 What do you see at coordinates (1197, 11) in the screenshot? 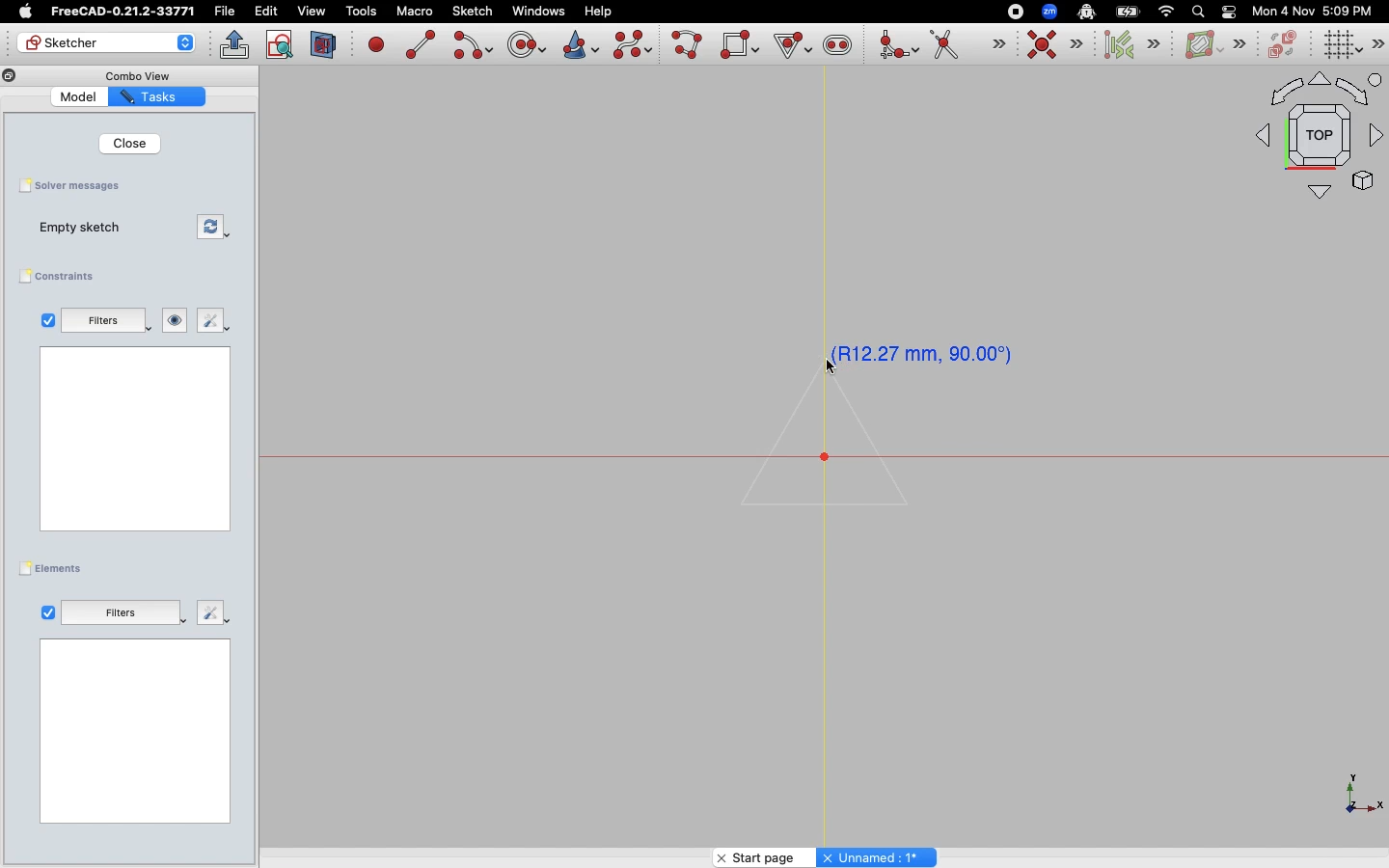
I see `Search` at bounding box center [1197, 11].